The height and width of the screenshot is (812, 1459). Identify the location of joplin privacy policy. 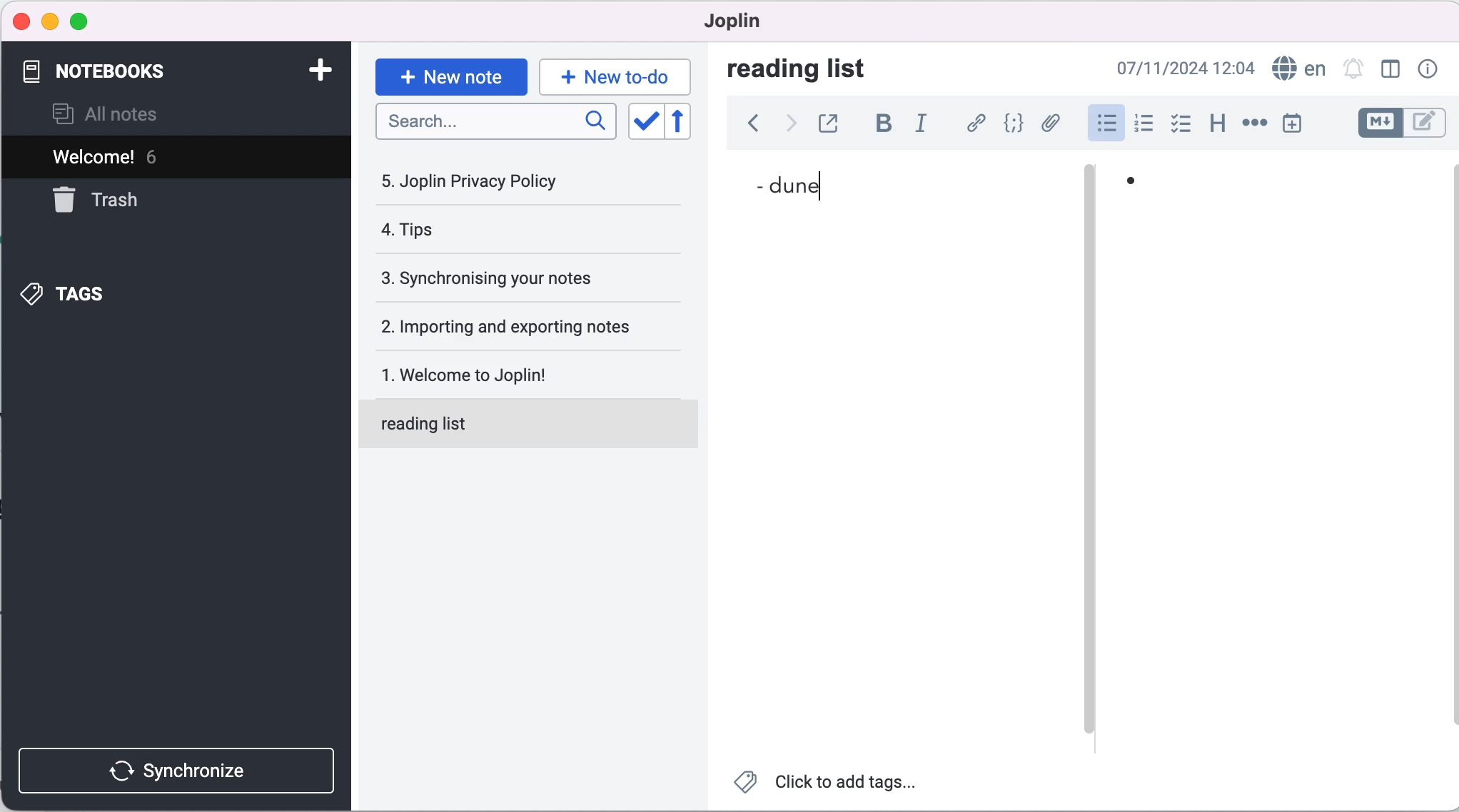
(499, 186).